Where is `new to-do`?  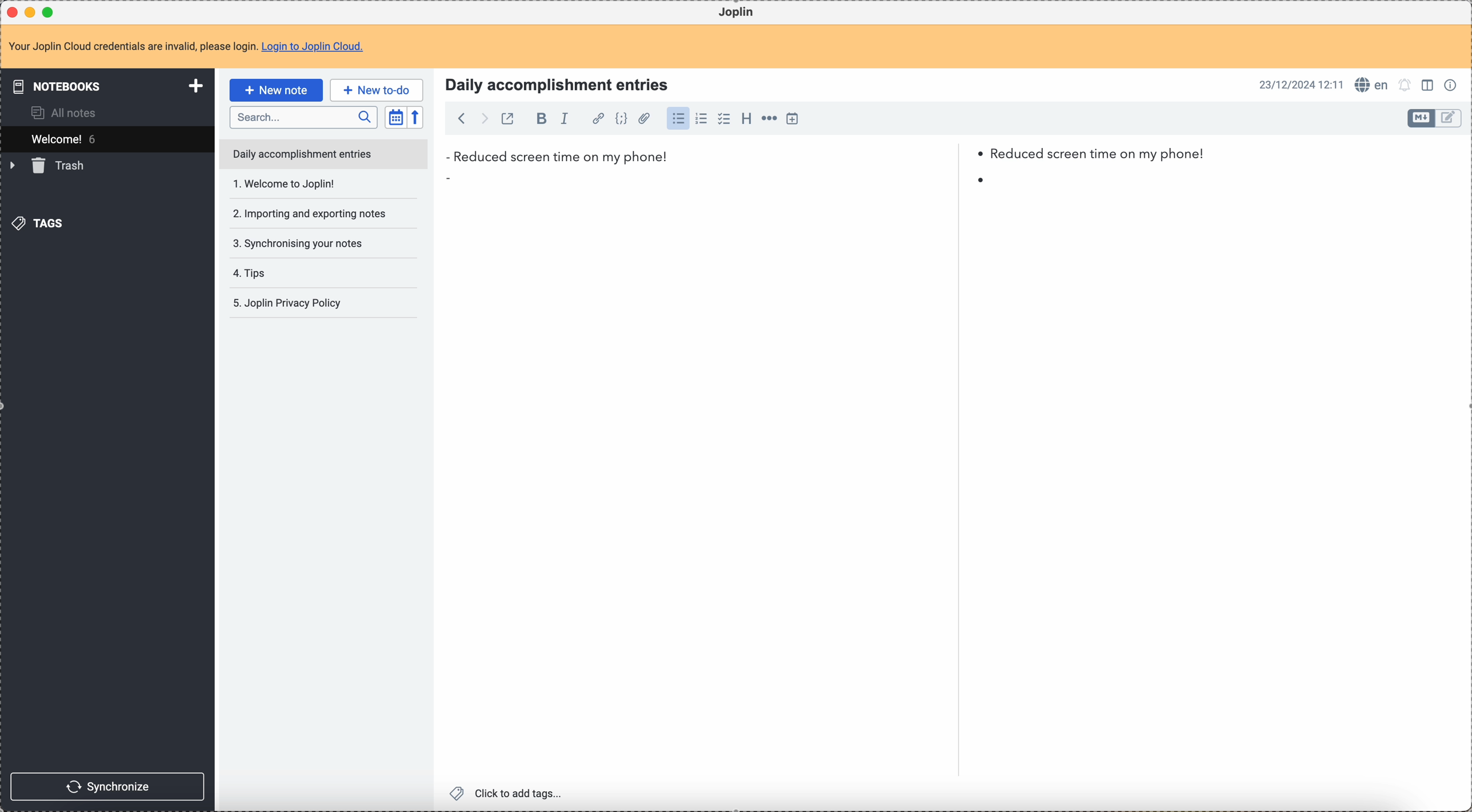 new to-do is located at coordinates (377, 89).